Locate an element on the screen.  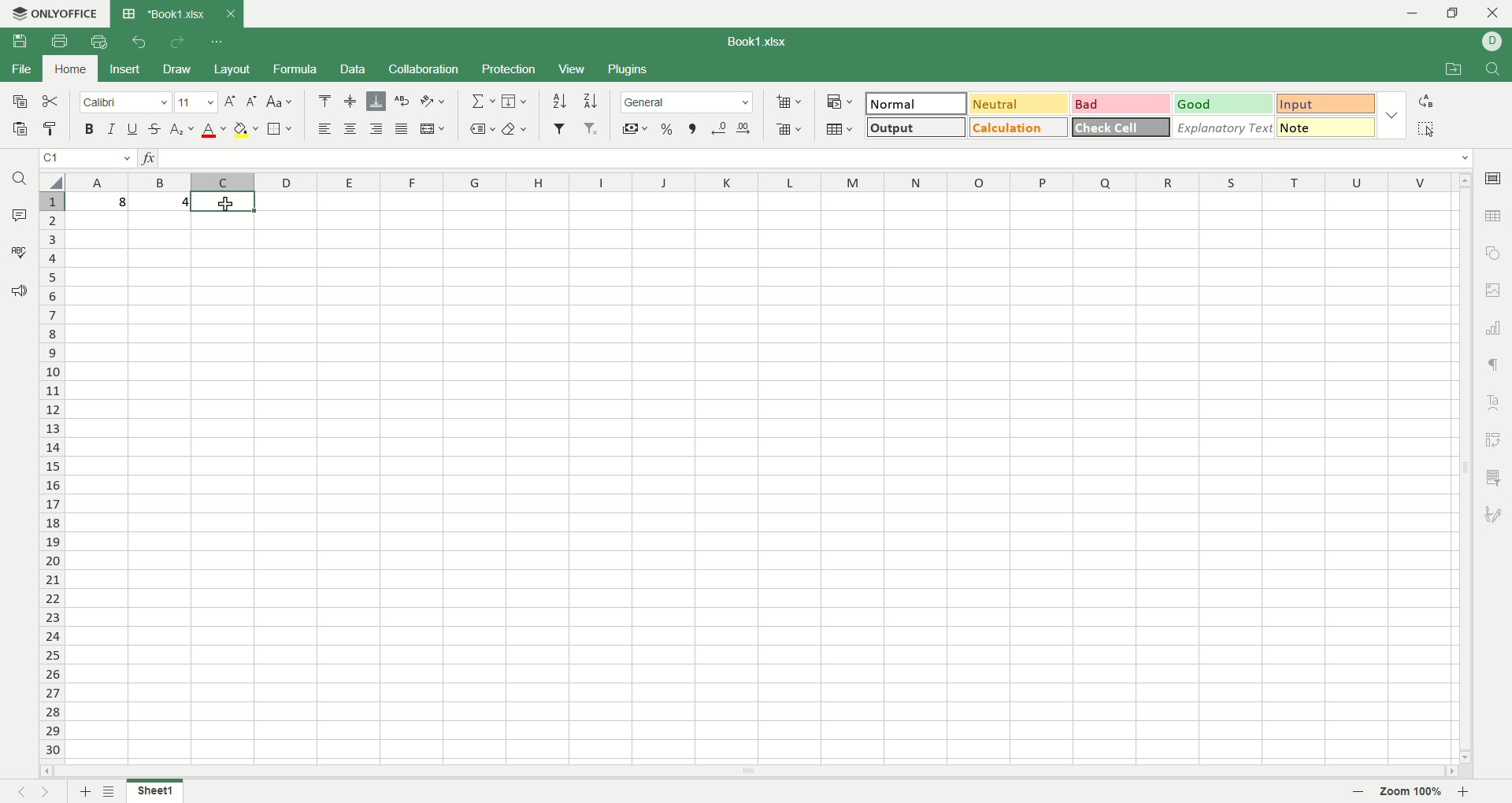
font size is located at coordinates (197, 102).